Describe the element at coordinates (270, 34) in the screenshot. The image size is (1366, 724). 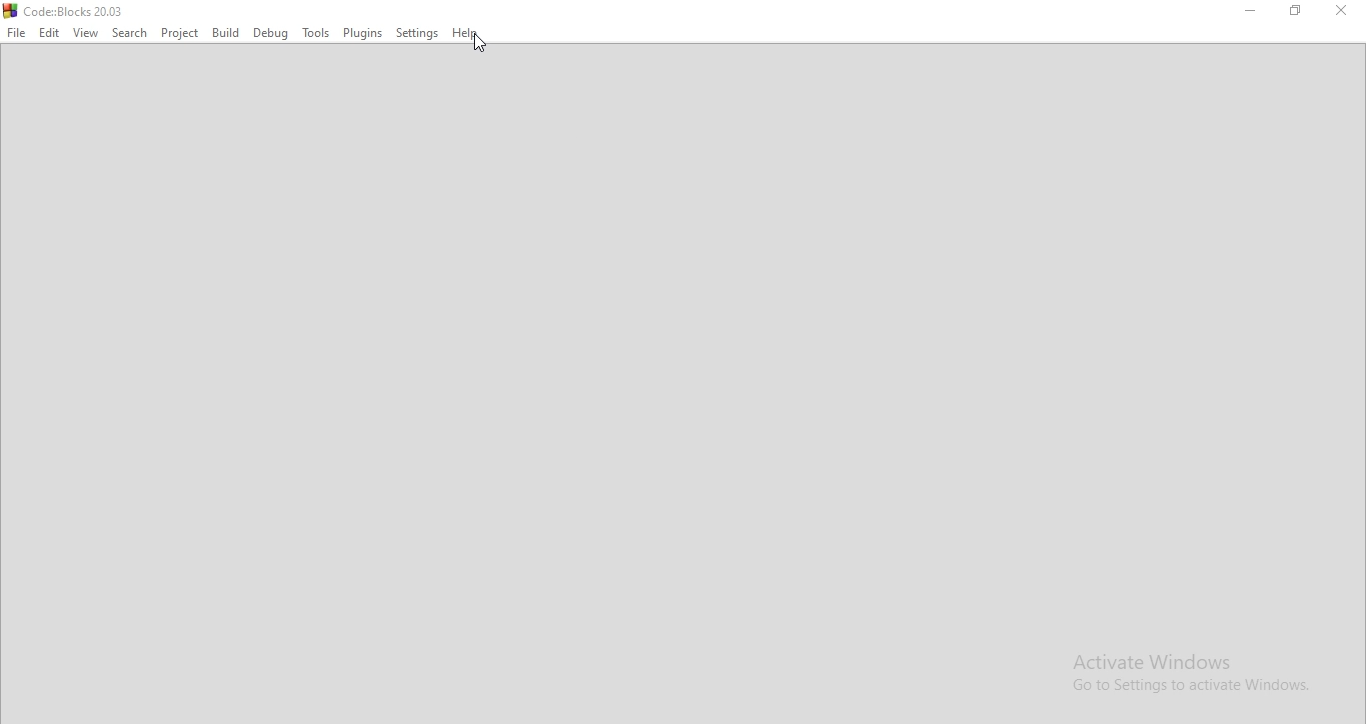
I see `Debug ` at that location.